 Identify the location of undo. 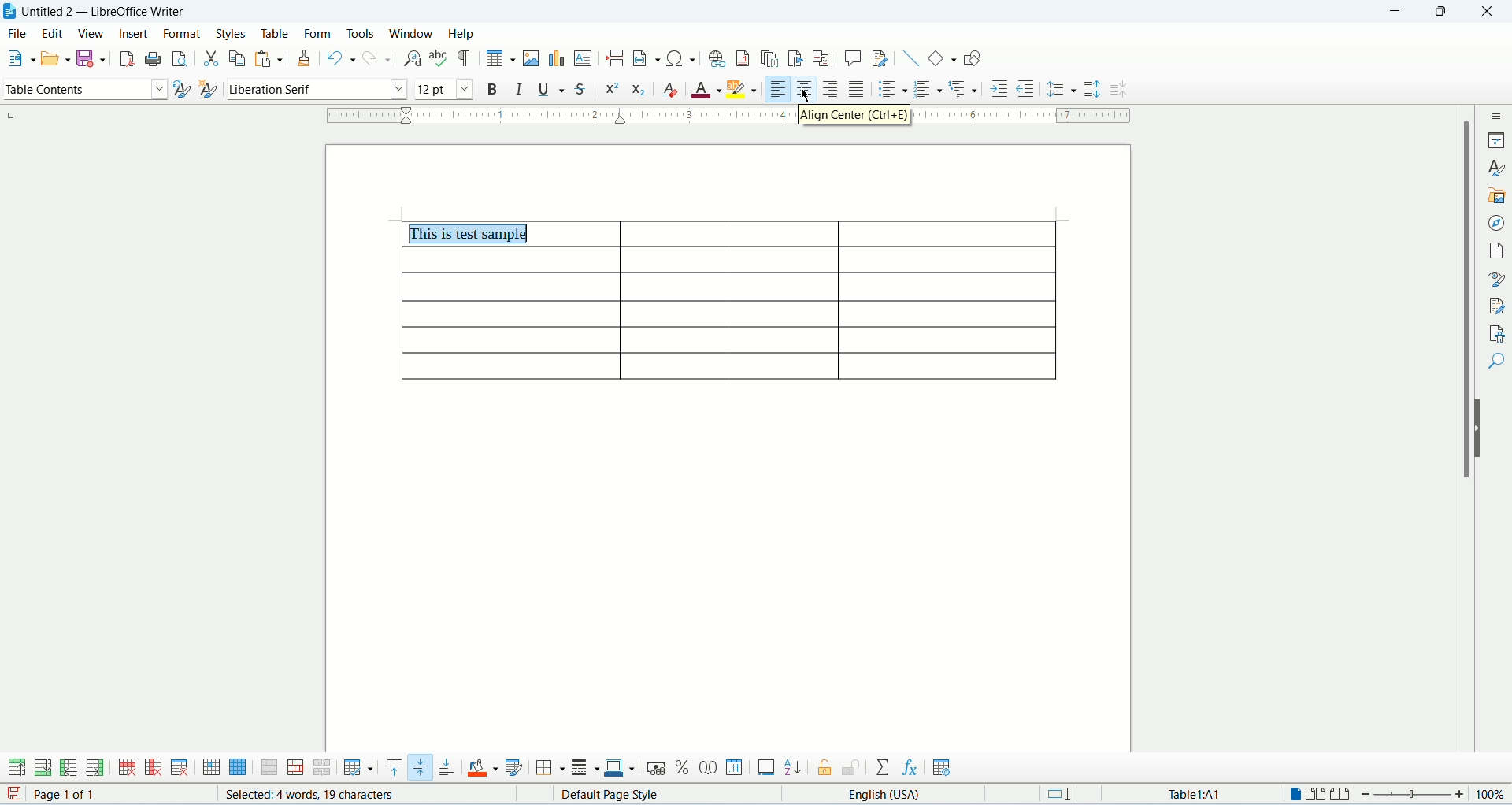
(342, 57).